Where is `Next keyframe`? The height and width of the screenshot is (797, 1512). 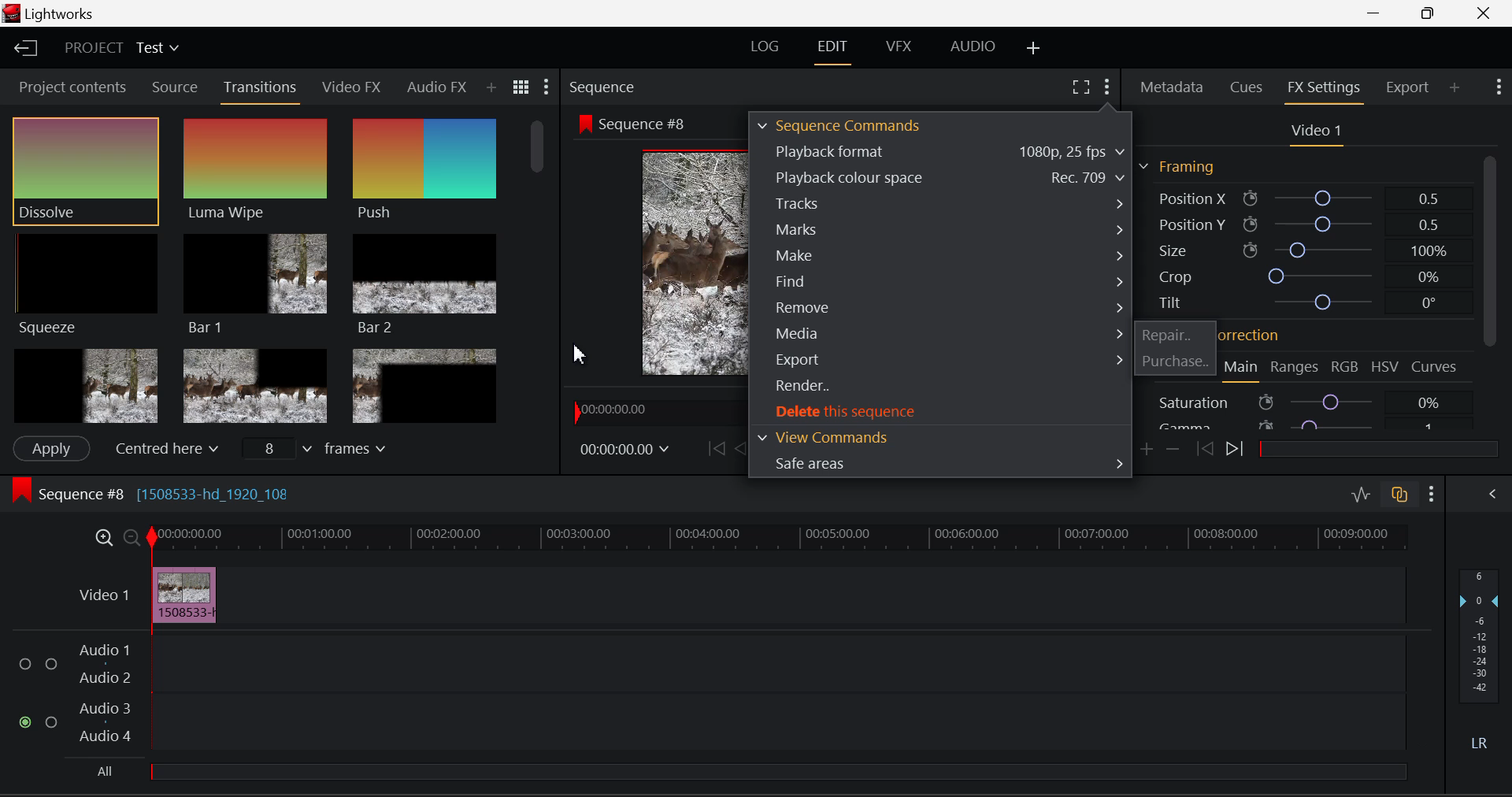 Next keyframe is located at coordinates (1240, 452).